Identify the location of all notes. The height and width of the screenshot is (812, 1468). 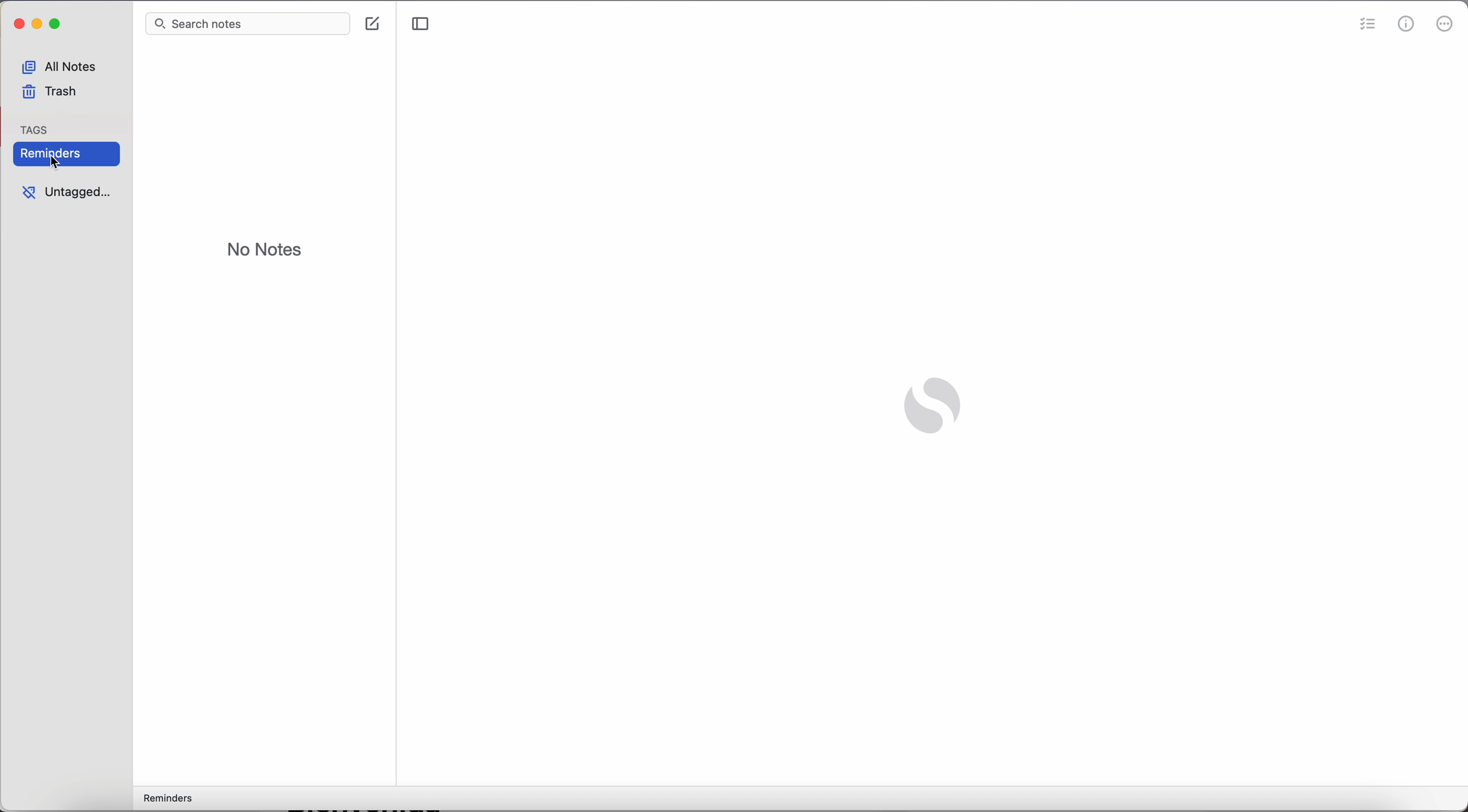
(64, 64).